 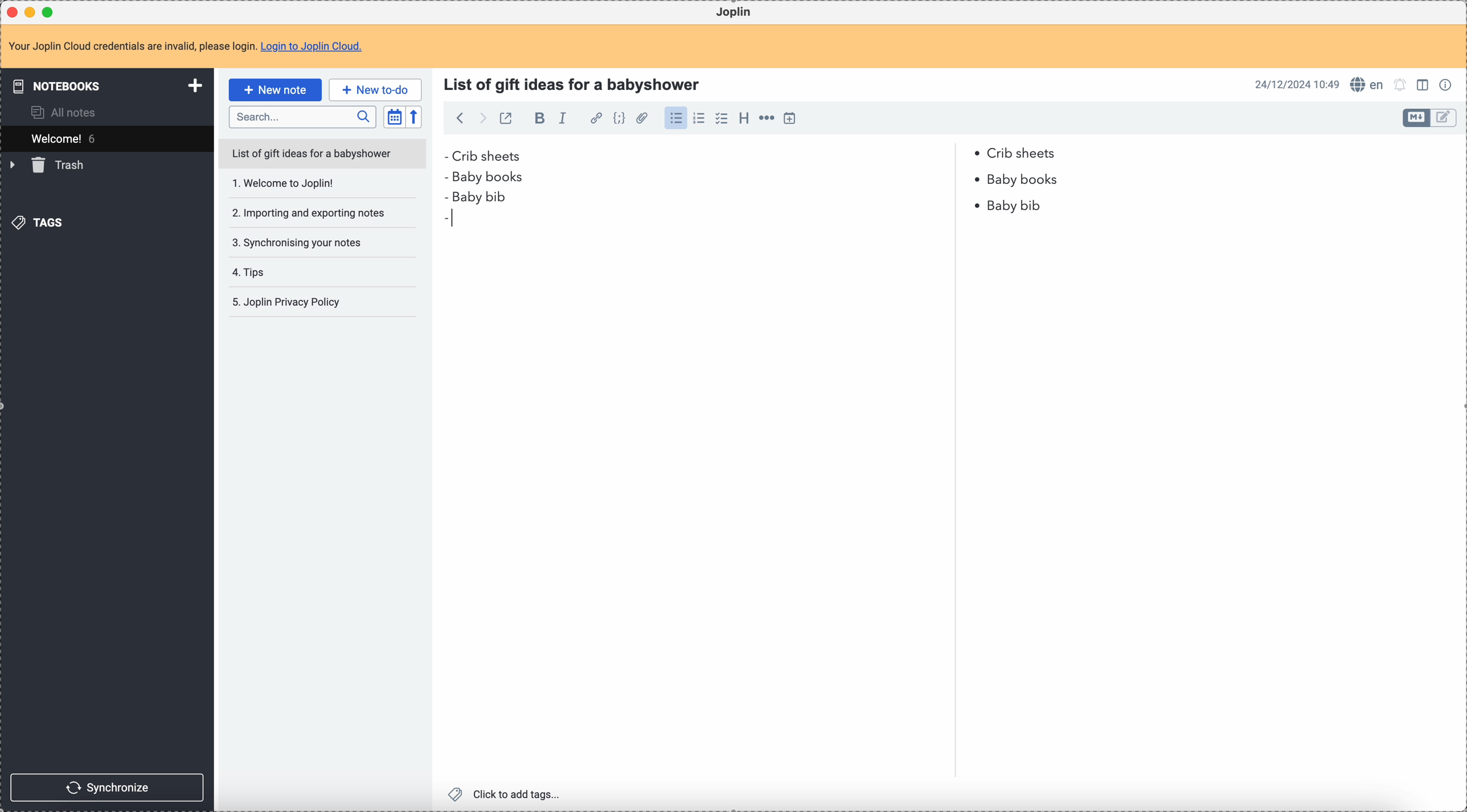 I want to click on baby books, so click(x=495, y=178).